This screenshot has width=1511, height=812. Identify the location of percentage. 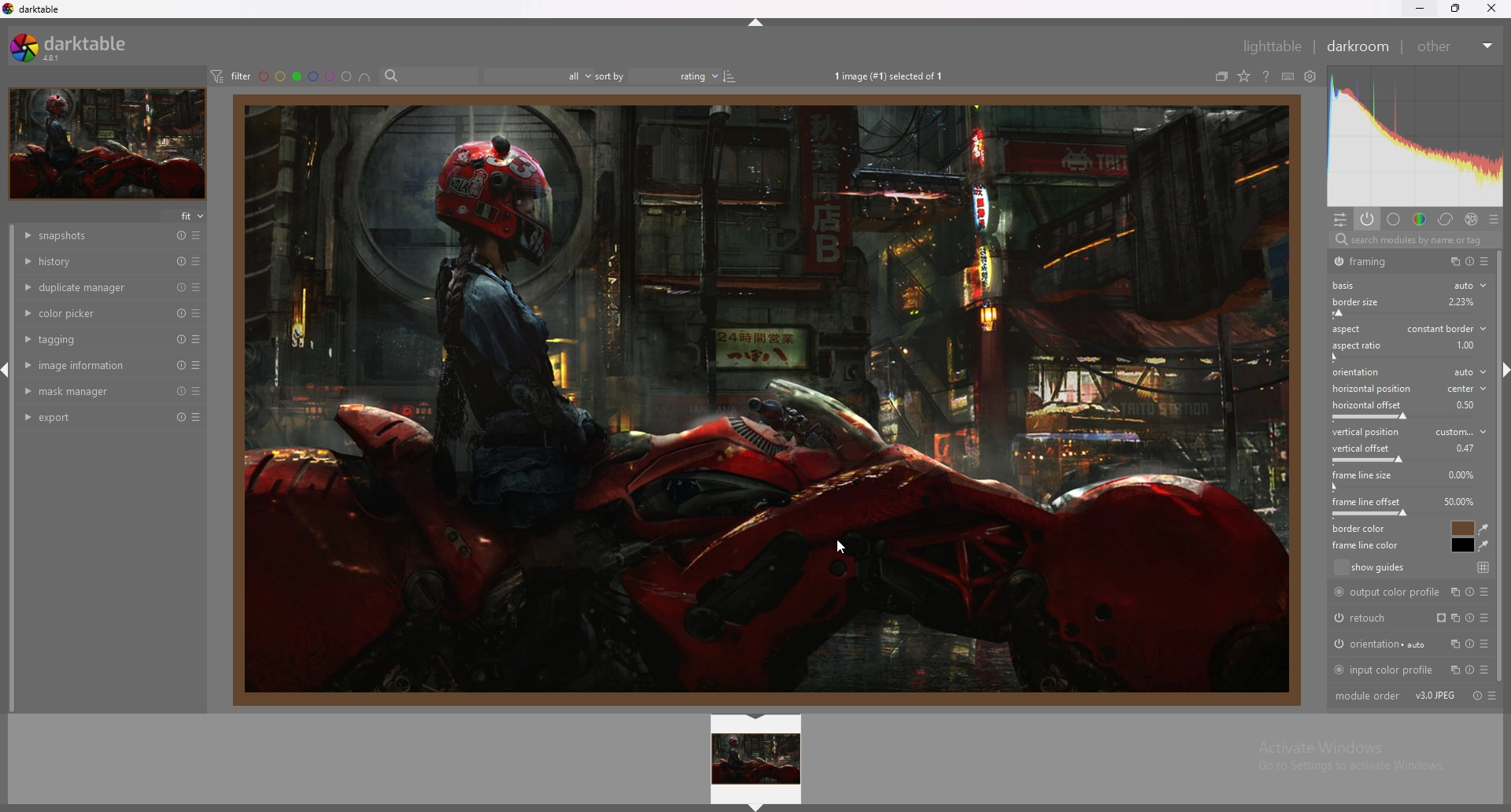
(1464, 474).